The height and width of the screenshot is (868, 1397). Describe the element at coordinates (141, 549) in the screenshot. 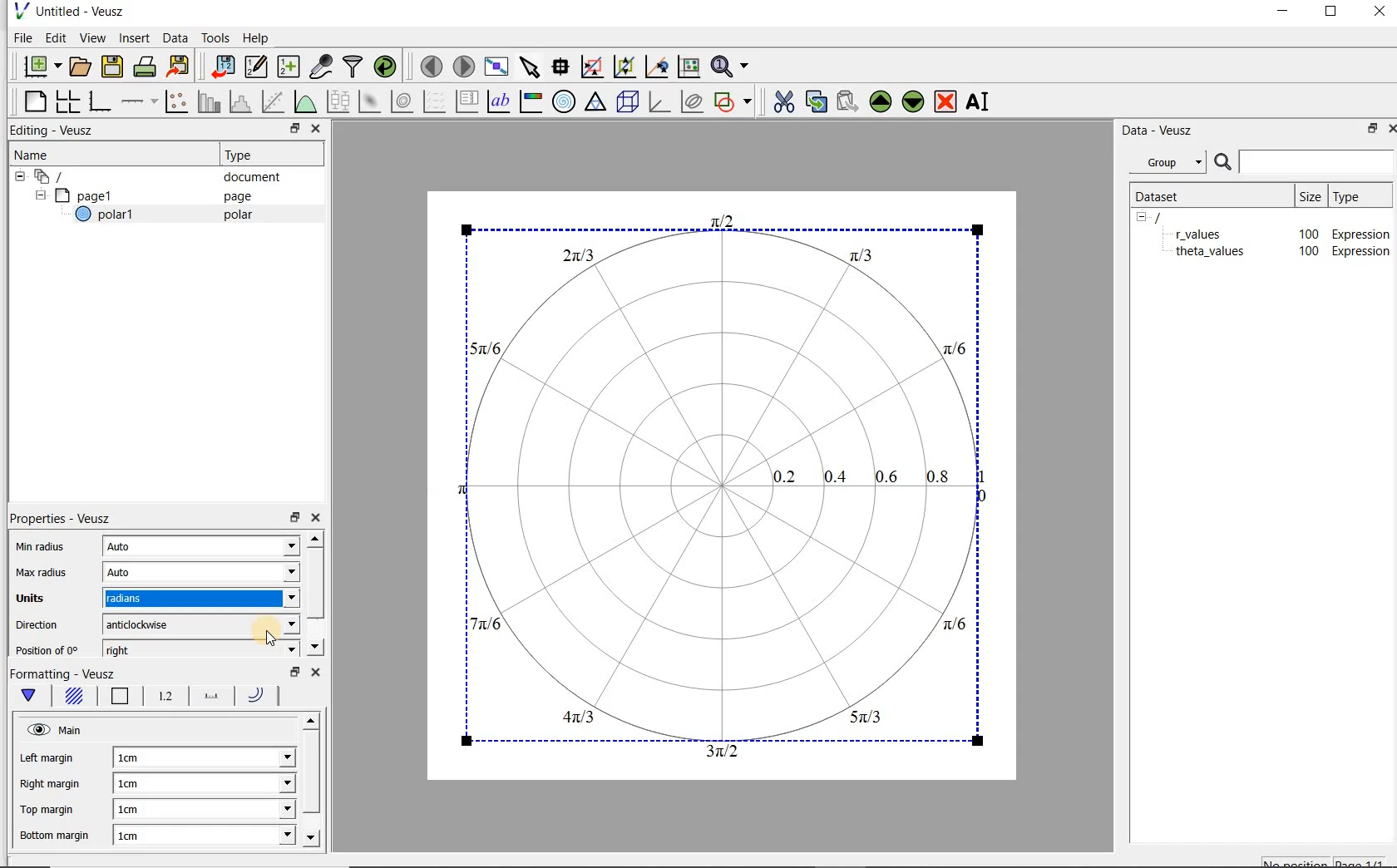

I see `Auto` at that location.